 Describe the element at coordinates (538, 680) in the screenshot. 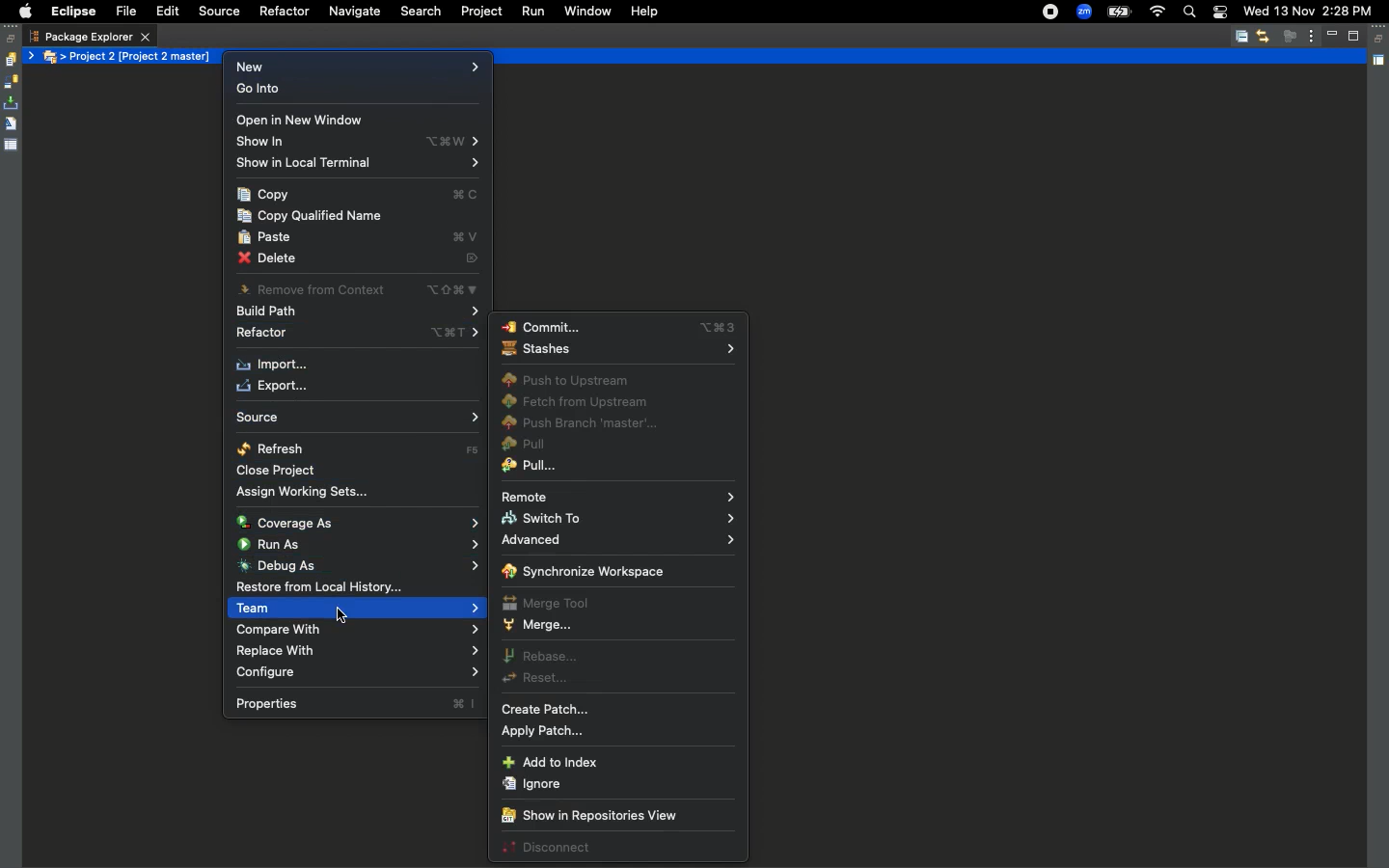

I see `Reset` at that location.